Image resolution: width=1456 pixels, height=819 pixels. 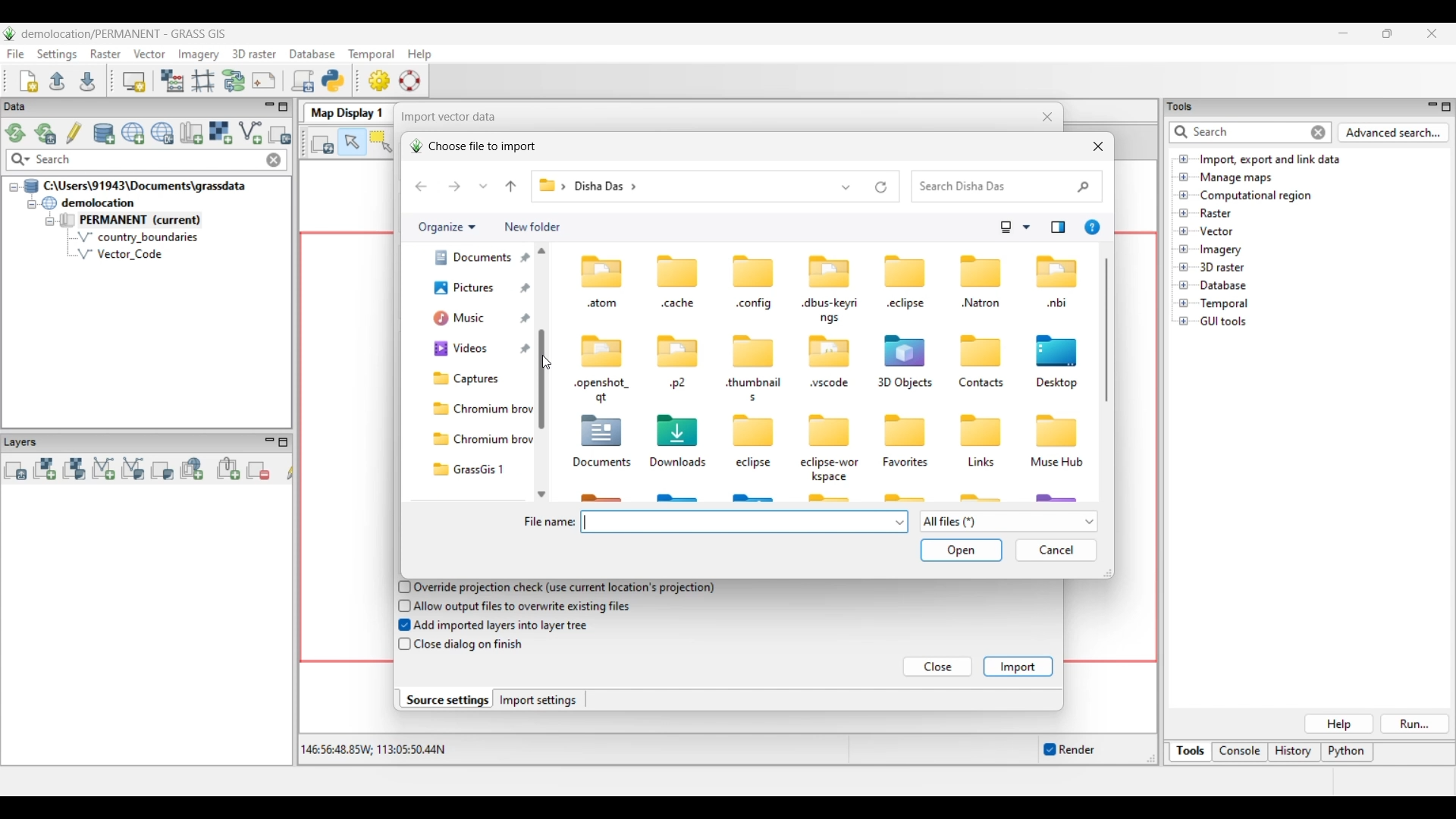 I want to click on Reload current GRASS mapset only, so click(x=45, y=133).